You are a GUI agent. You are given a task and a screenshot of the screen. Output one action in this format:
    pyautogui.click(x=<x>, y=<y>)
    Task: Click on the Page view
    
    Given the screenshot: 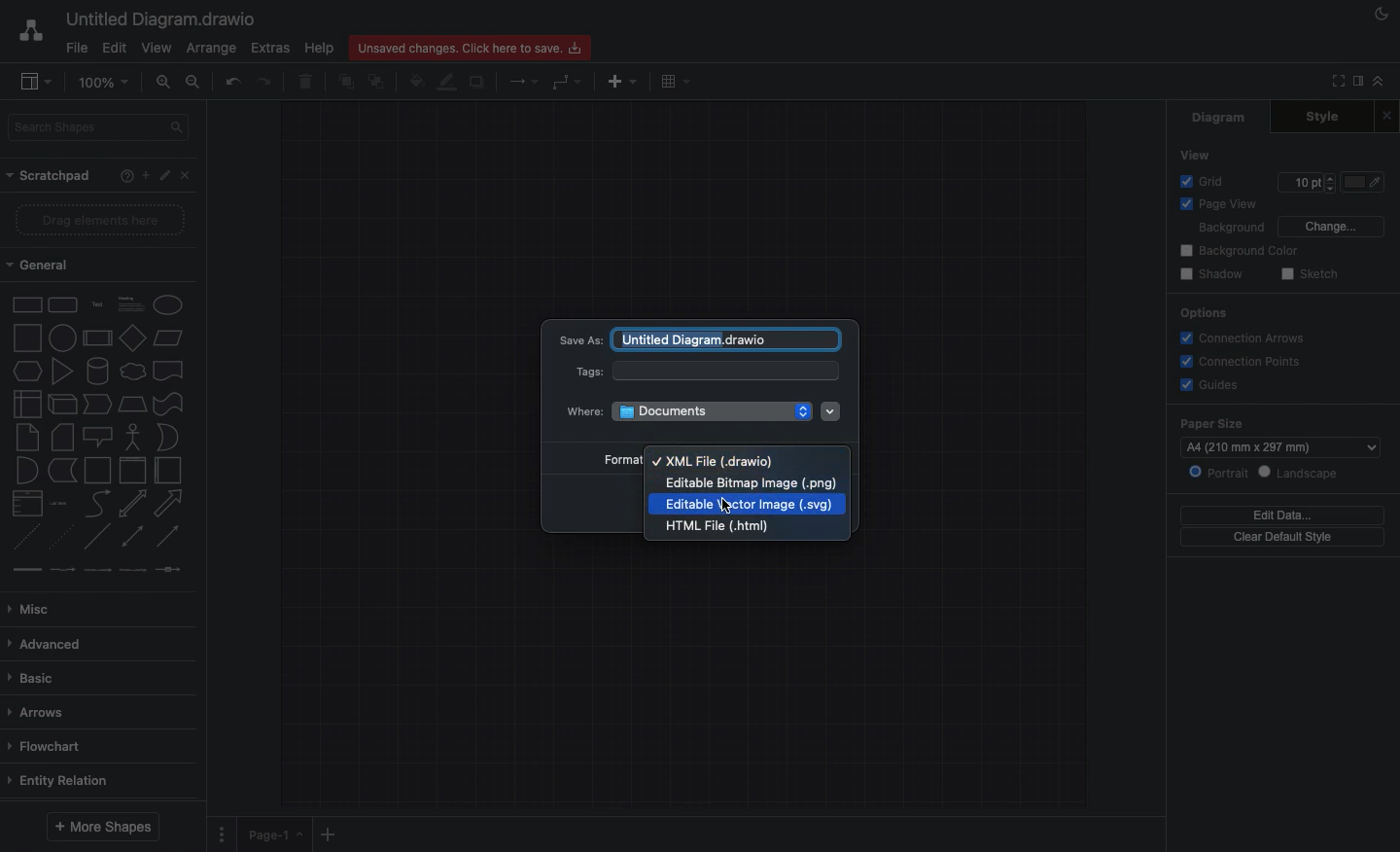 What is the action you would take?
    pyautogui.click(x=1220, y=205)
    